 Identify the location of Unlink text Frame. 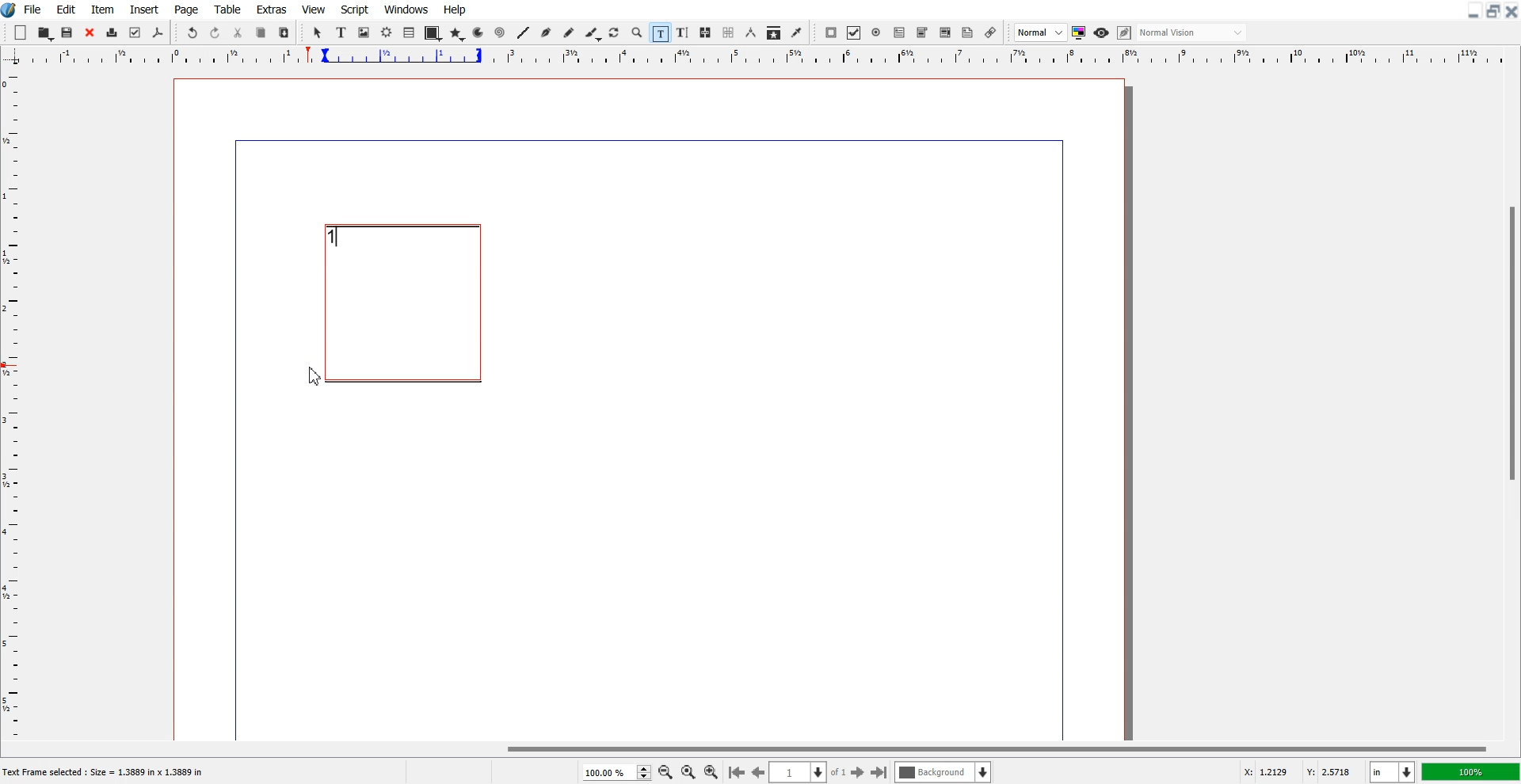
(729, 33).